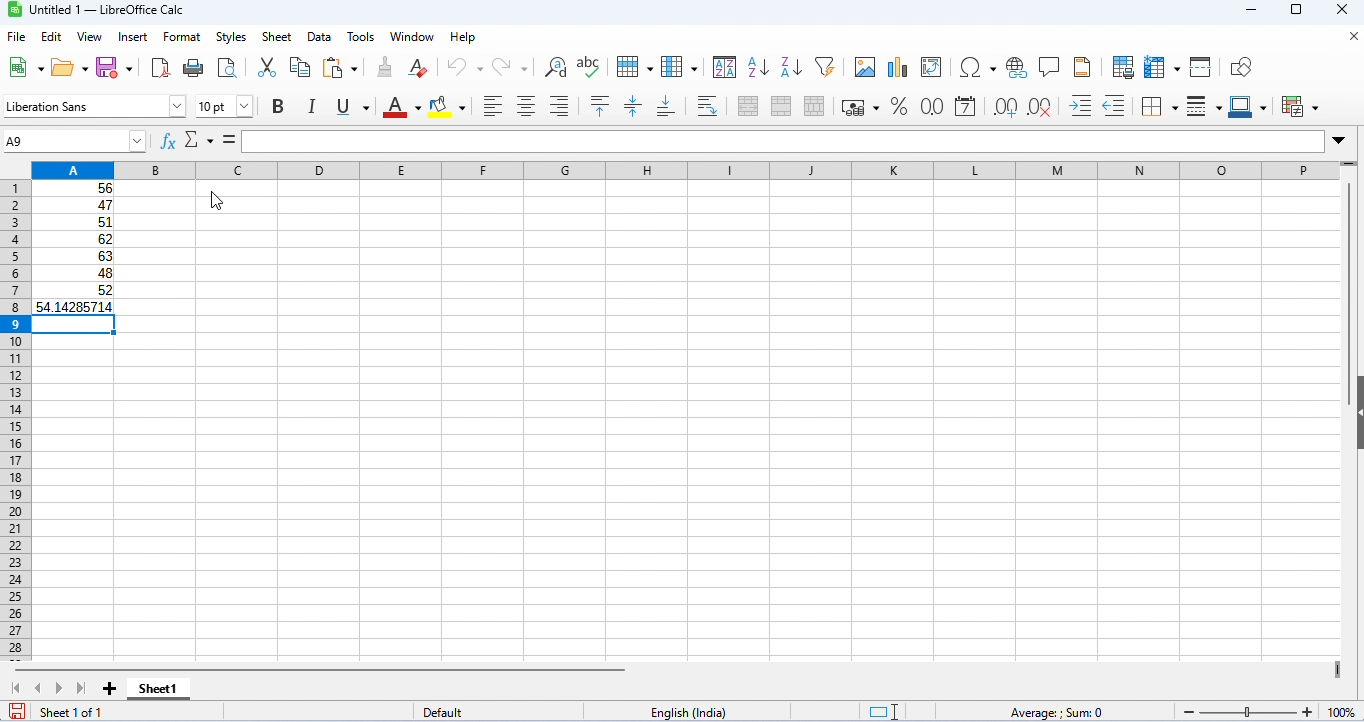  What do you see at coordinates (1269, 709) in the screenshot?
I see `zoom` at bounding box center [1269, 709].